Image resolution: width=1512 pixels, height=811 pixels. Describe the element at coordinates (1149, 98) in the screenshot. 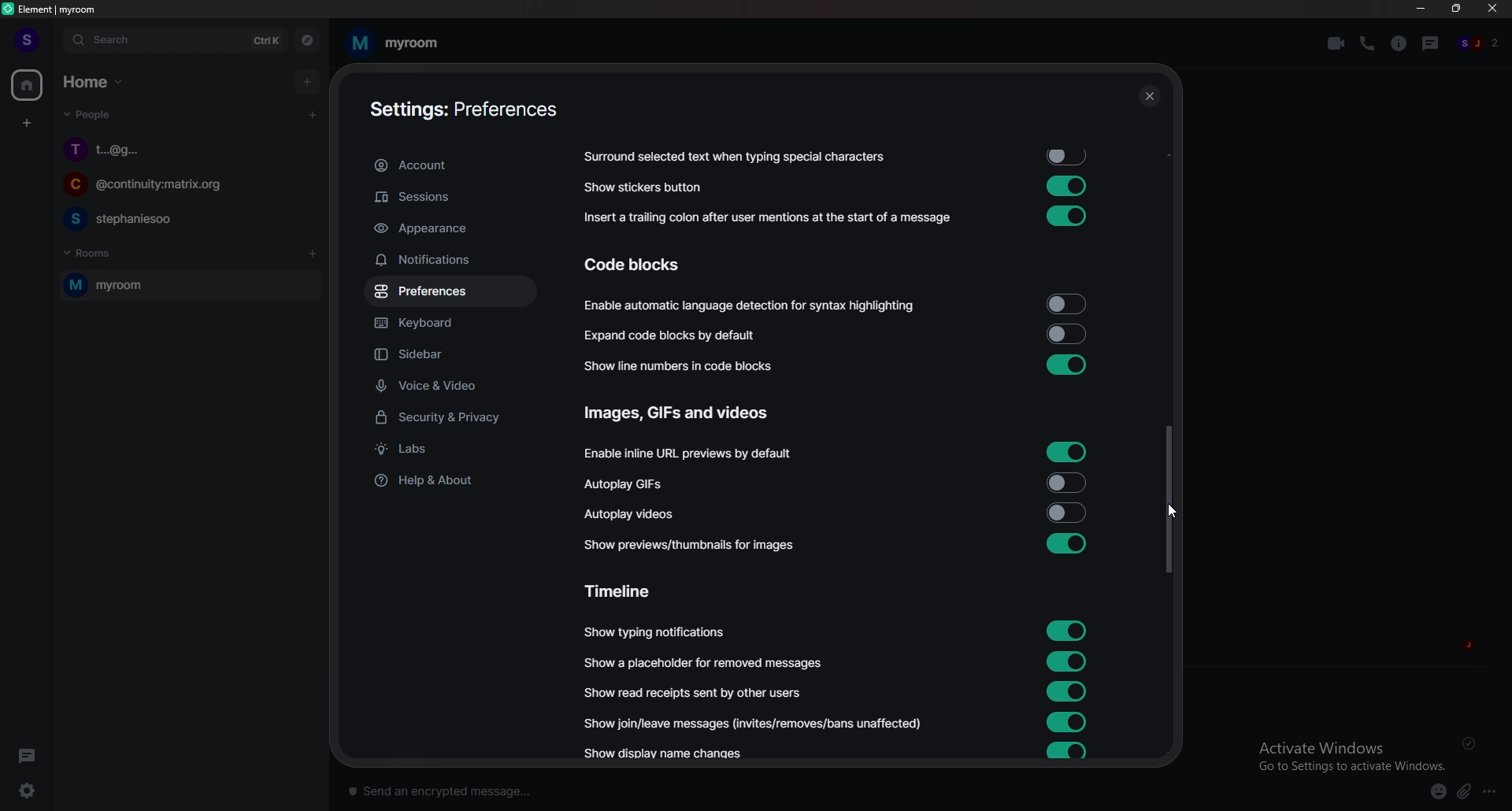

I see `` at that location.